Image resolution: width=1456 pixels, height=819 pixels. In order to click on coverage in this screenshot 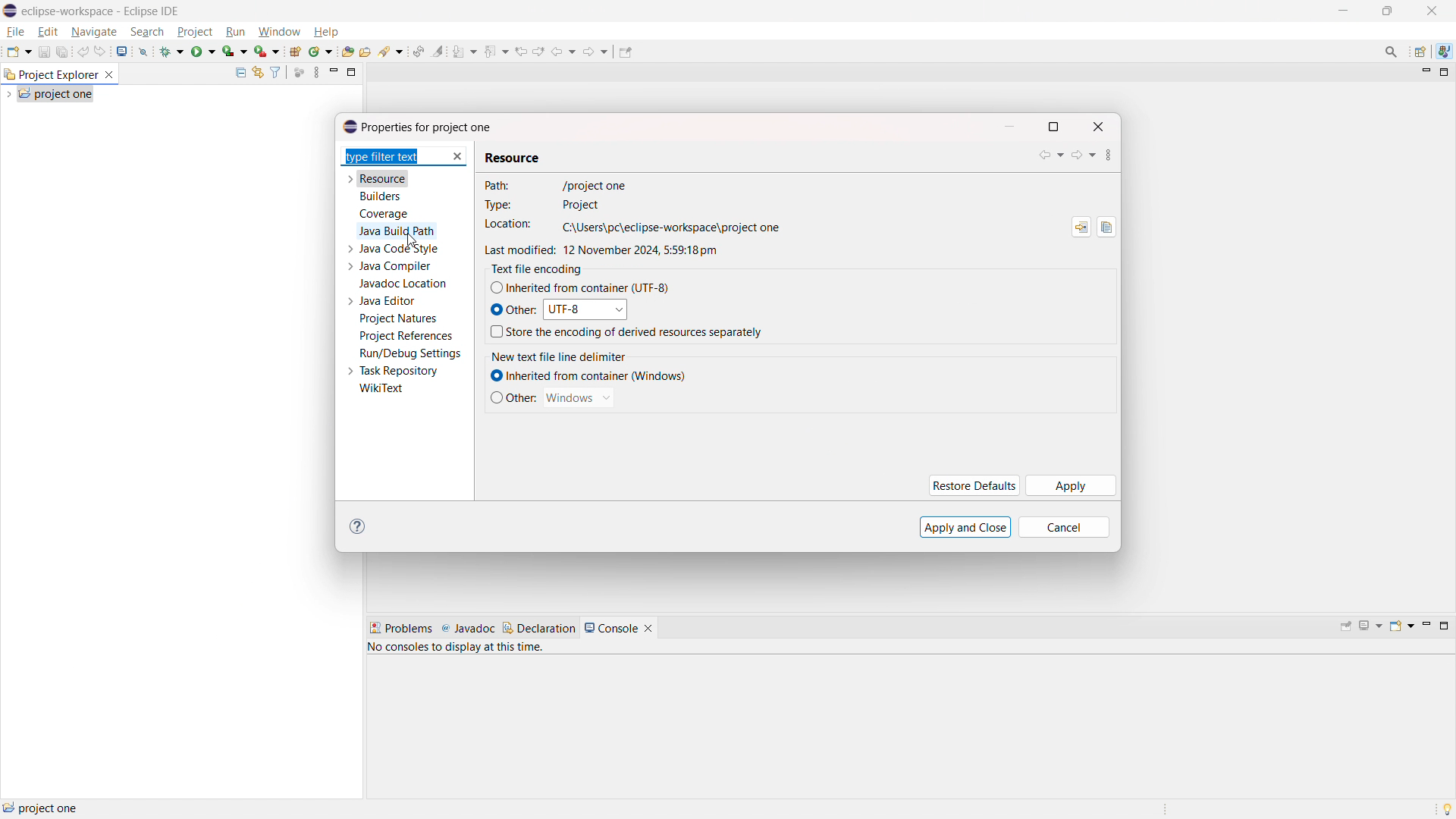, I will do `click(384, 214)`.